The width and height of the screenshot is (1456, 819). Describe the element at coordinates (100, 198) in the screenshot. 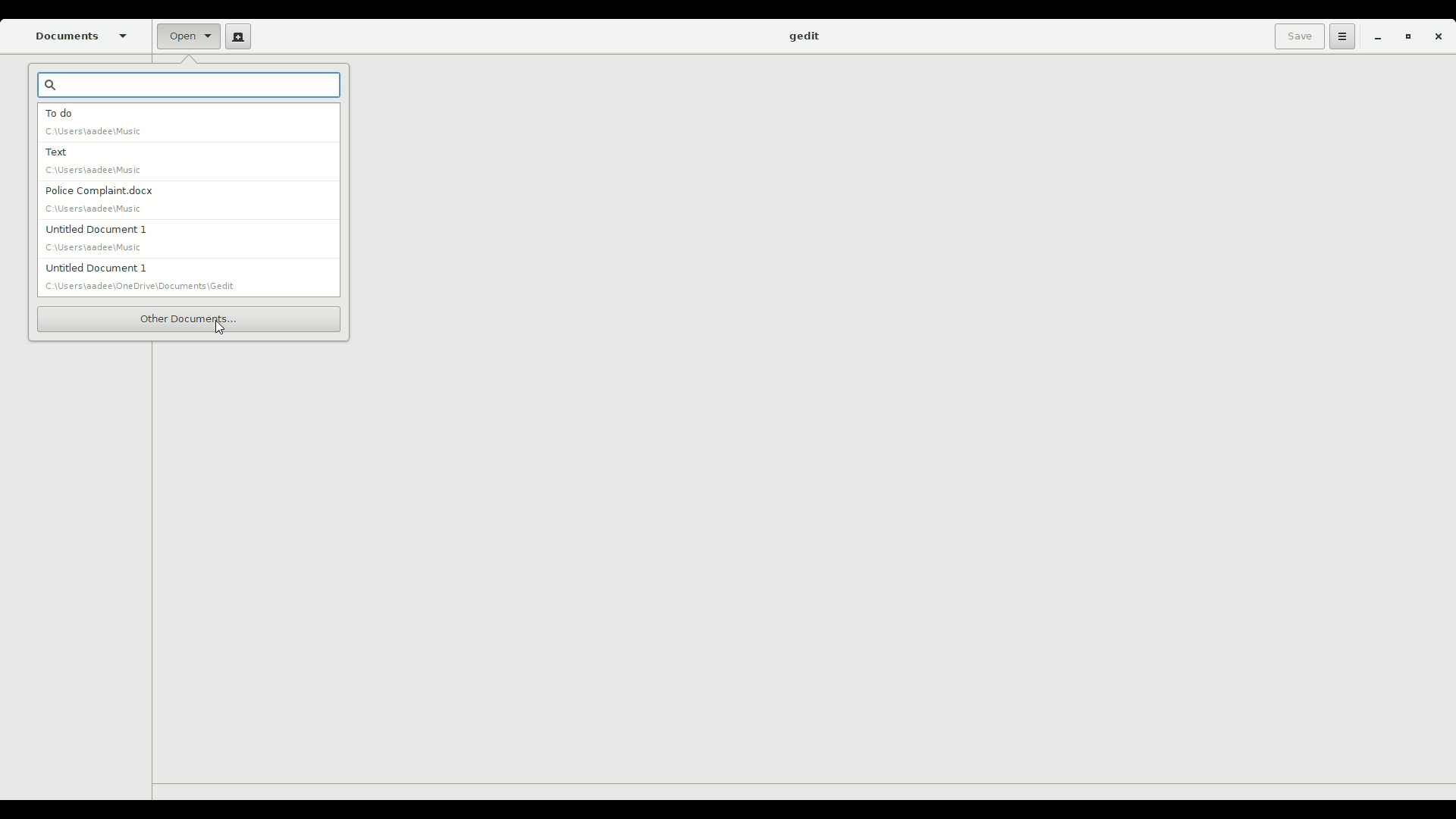

I see `Police complaint.docx` at that location.